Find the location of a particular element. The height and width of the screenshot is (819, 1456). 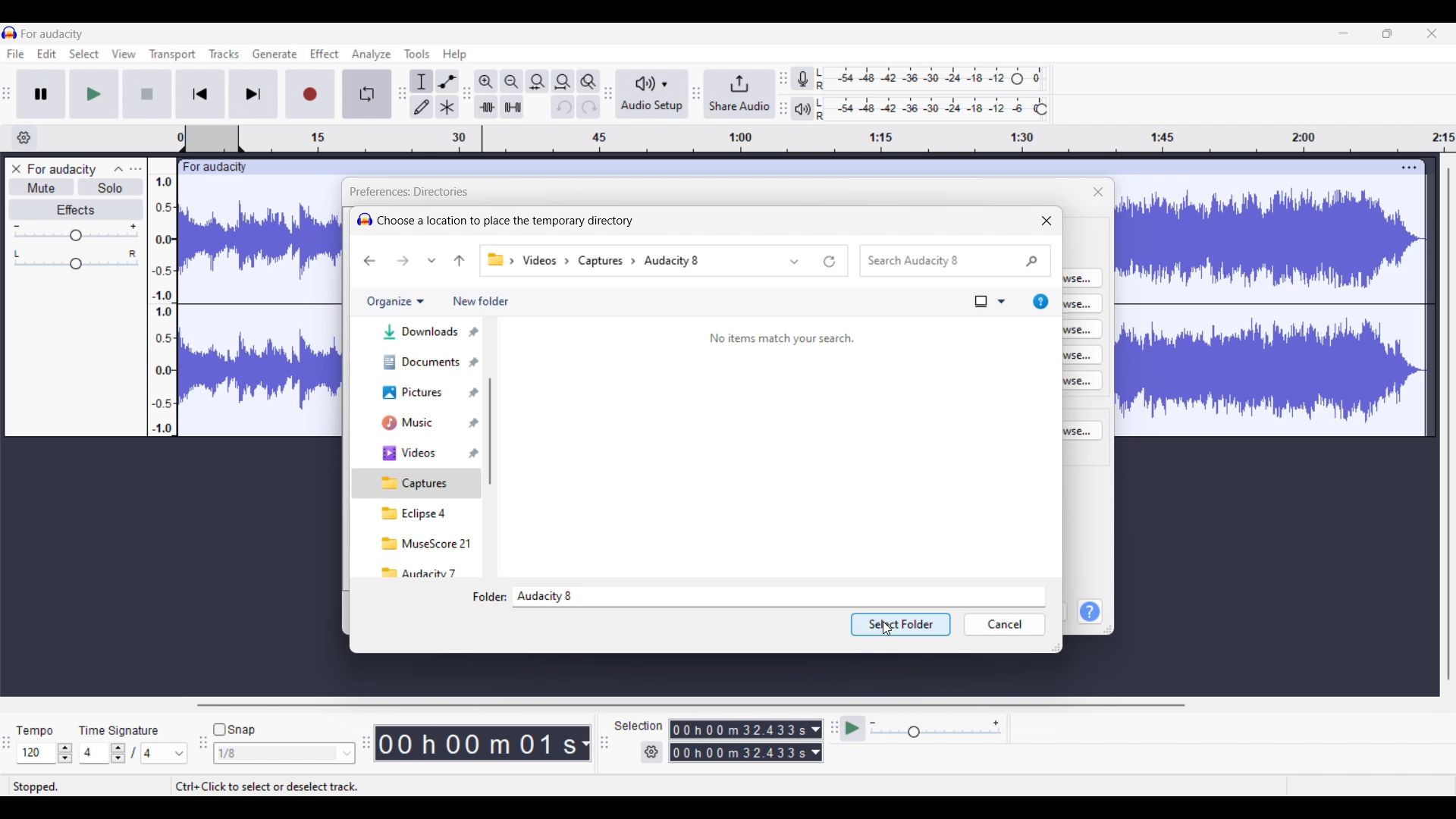

Previous locations  is located at coordinates (795, 261).